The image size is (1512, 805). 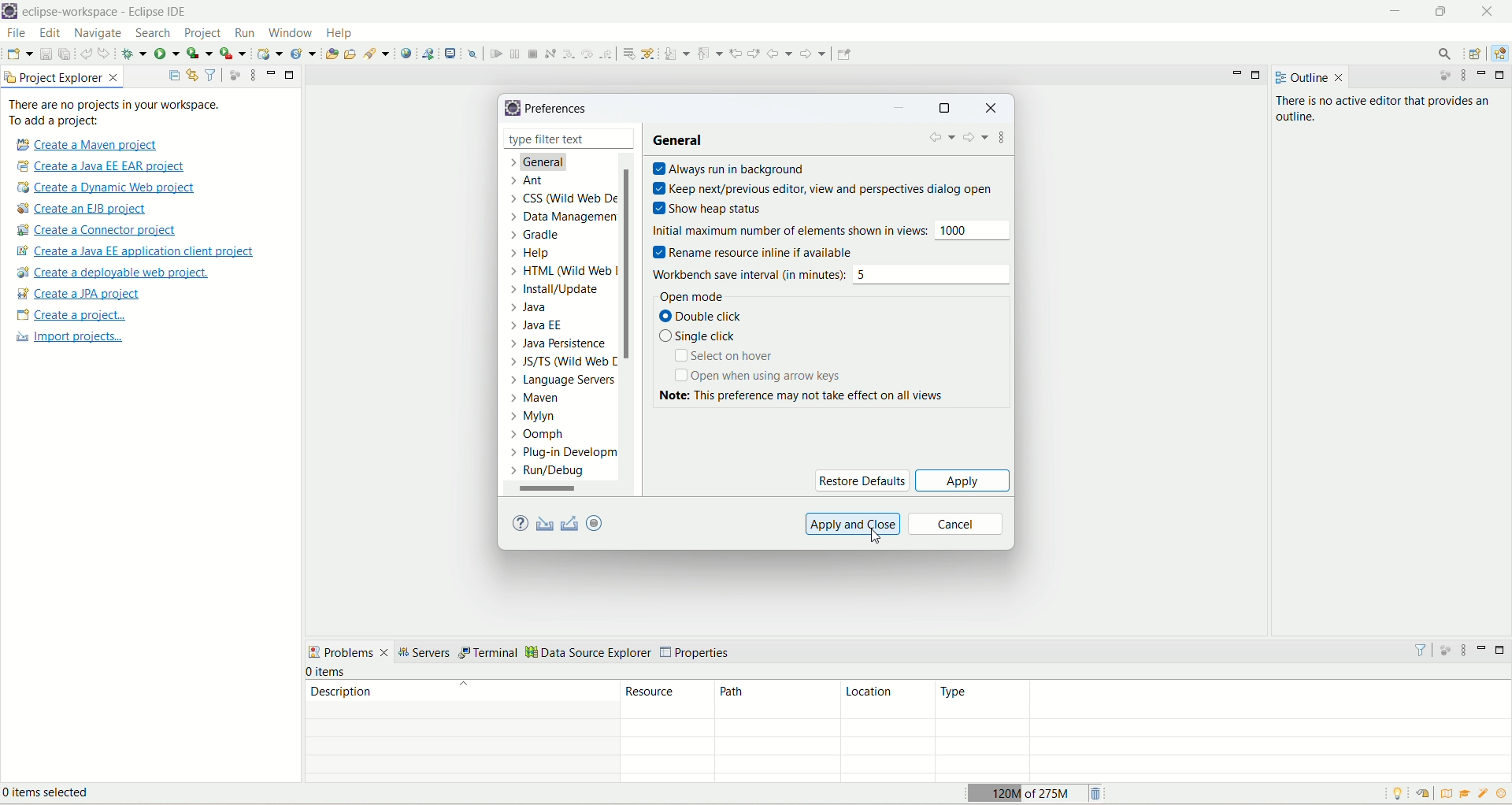 What do you see at coordinates (328, 672) in the screenshot?
I see `0 items` at bounding box center [328, 672].